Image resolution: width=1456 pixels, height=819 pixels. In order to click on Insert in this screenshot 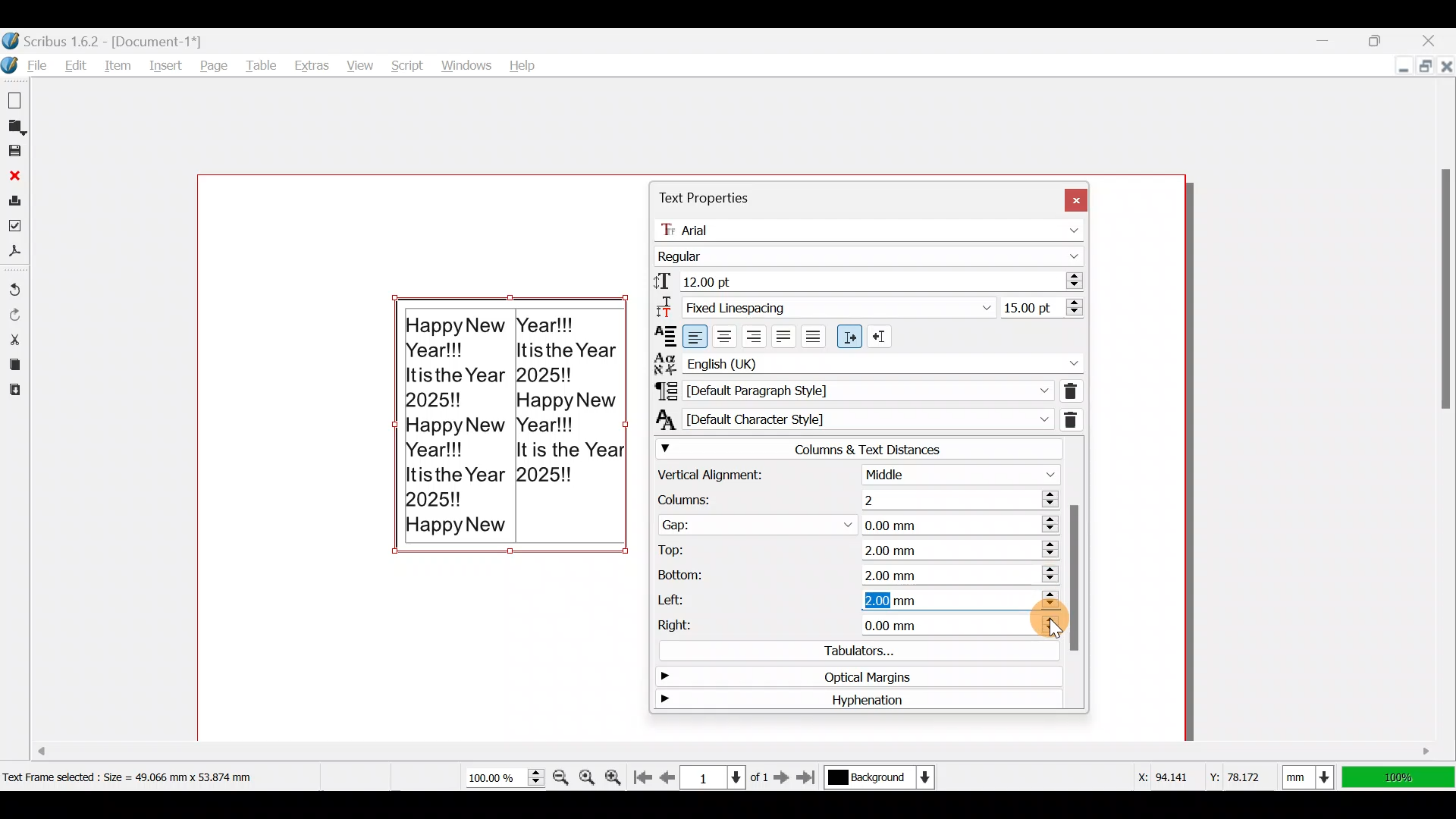, I will do `click(168, 66)`.